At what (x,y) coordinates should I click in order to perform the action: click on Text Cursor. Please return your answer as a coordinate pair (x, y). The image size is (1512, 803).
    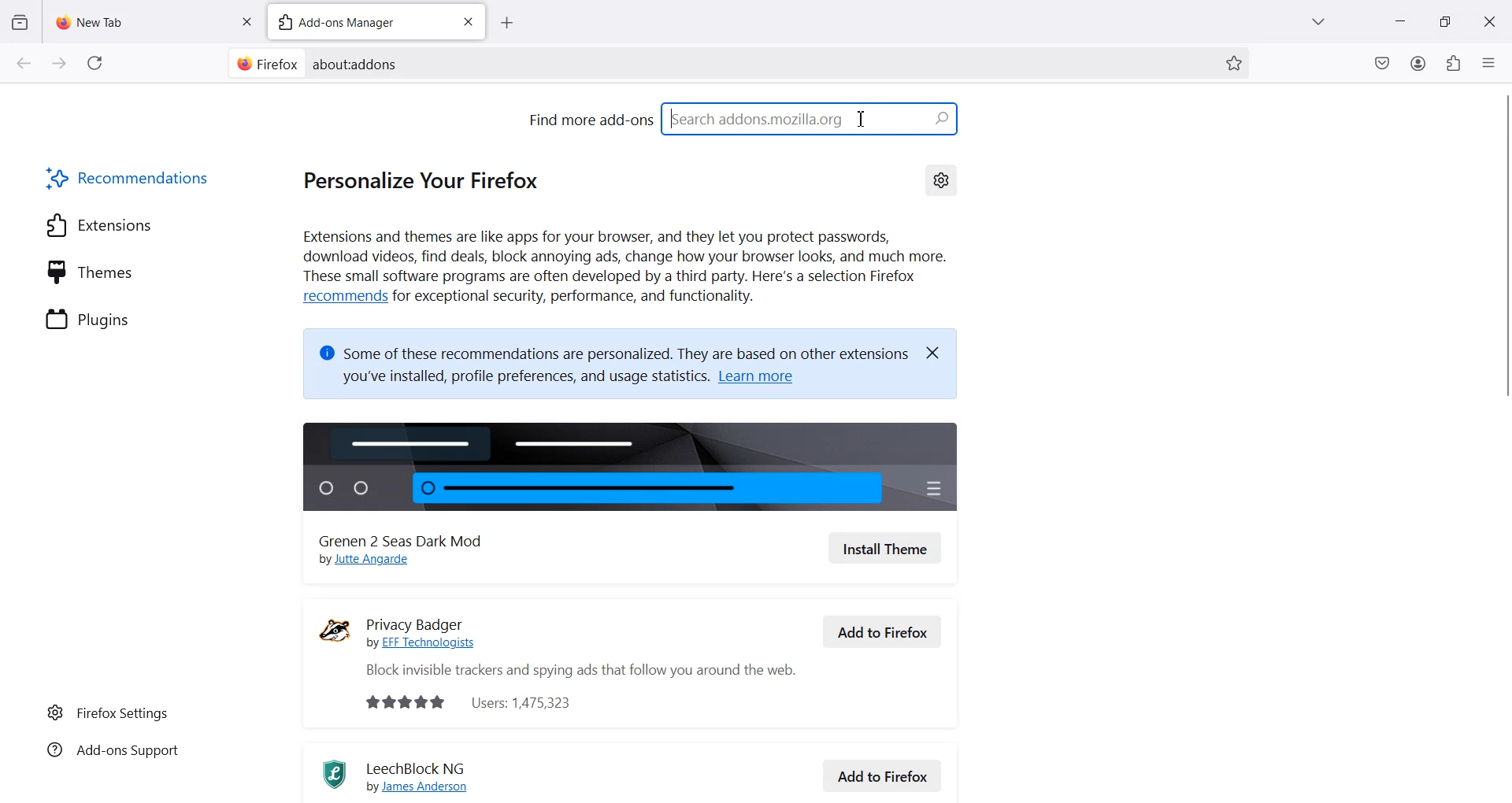
    Looking at the image, I should click on (862, 118).